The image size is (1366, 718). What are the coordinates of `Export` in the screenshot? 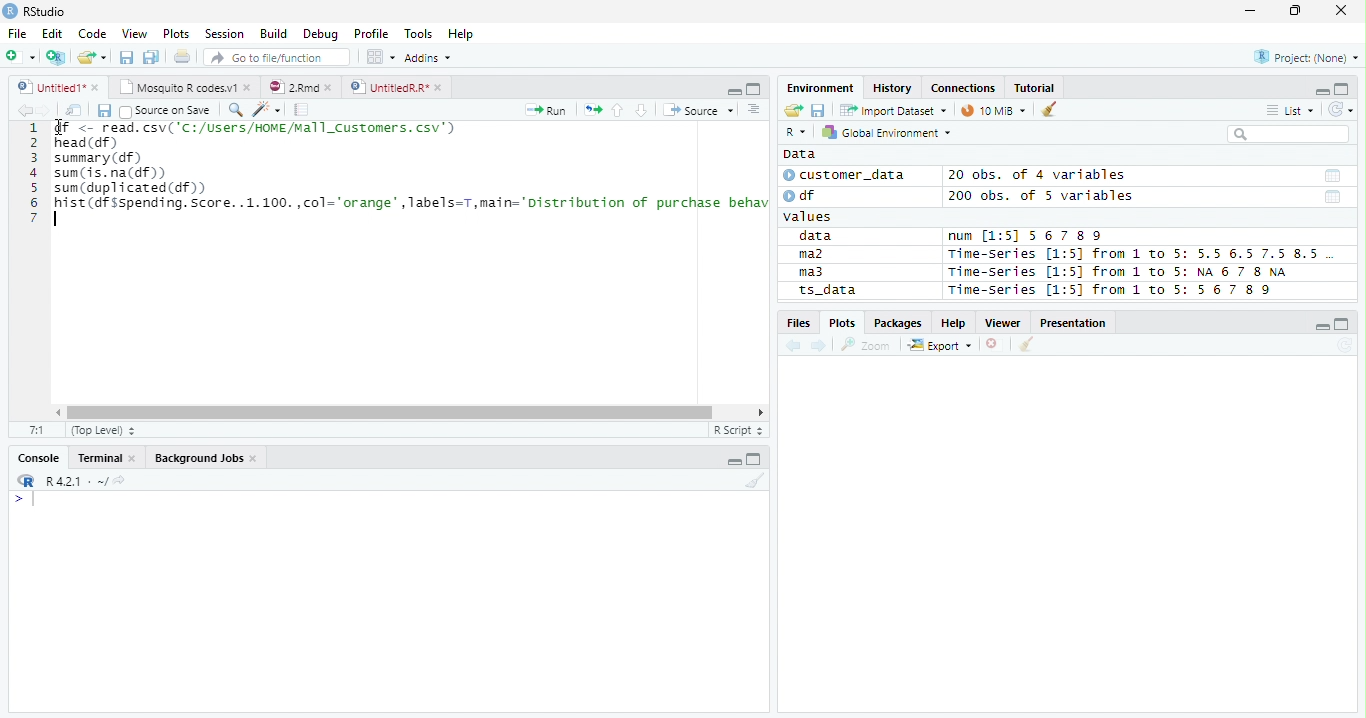 It's located at (940, 346).